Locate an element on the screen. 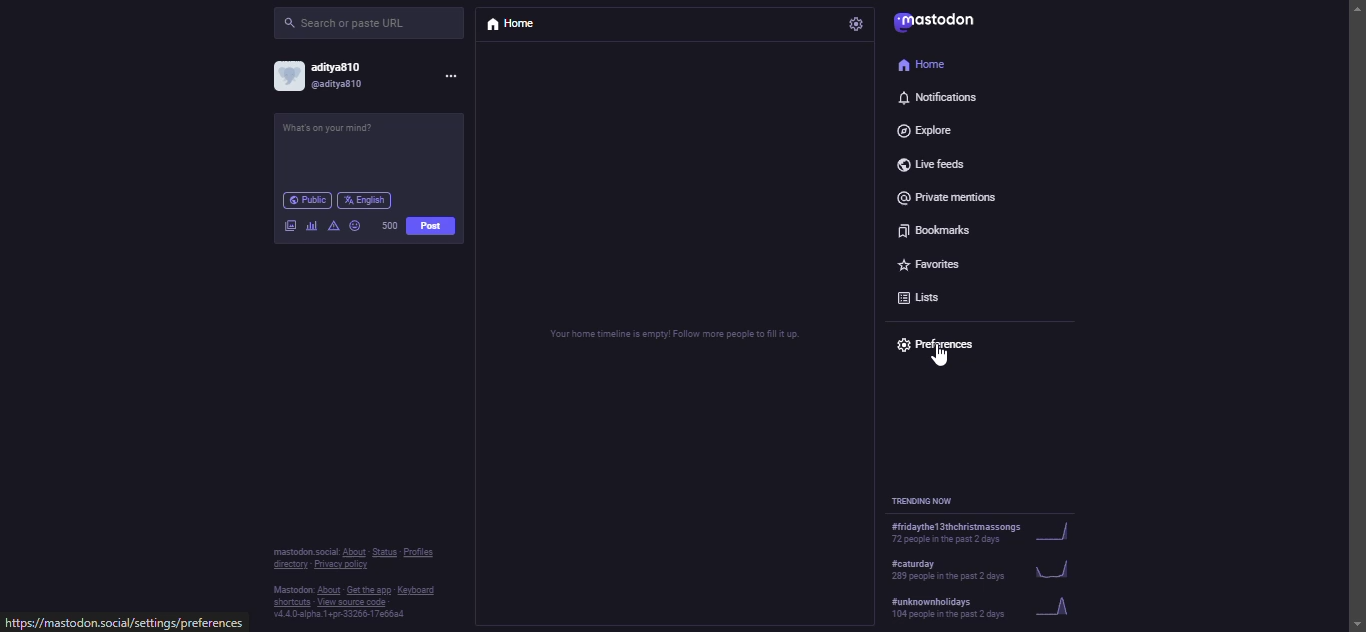 Image resolution: width=1366 pixels, height=632 pixels. more is located at coordinates (455, 77).